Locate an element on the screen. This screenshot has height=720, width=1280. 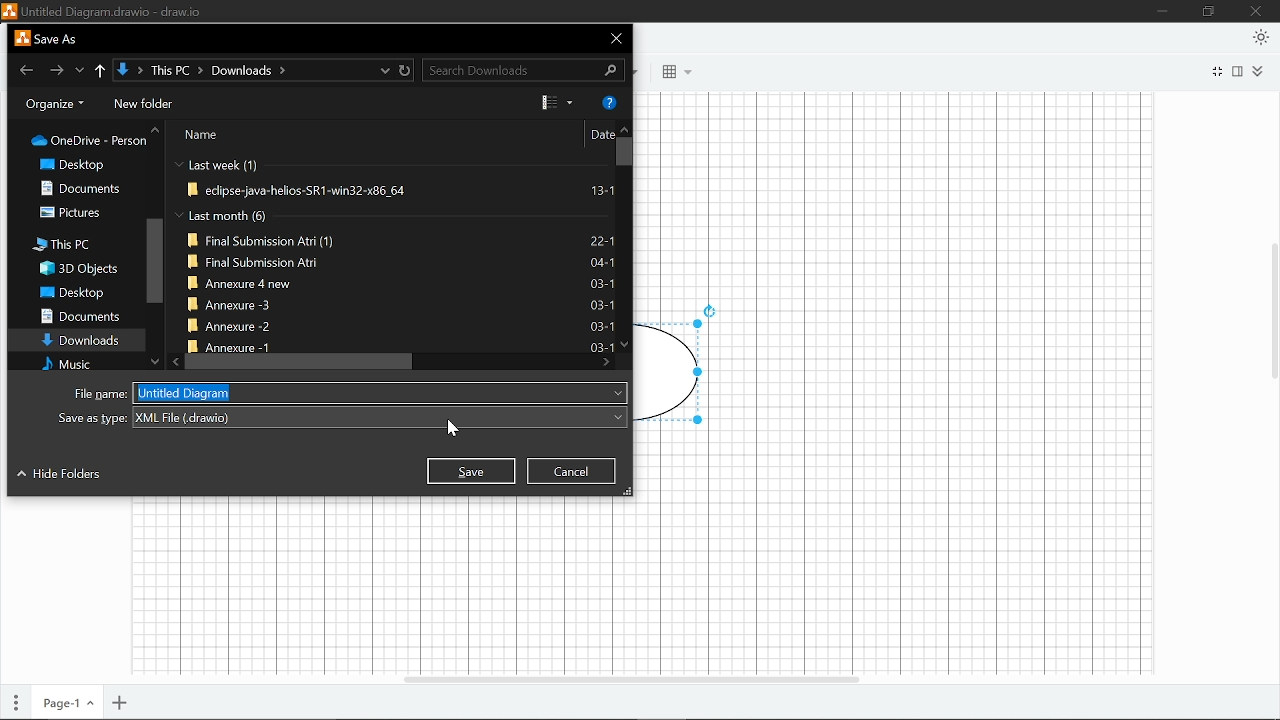
close is located at coordinates (1258, 11).